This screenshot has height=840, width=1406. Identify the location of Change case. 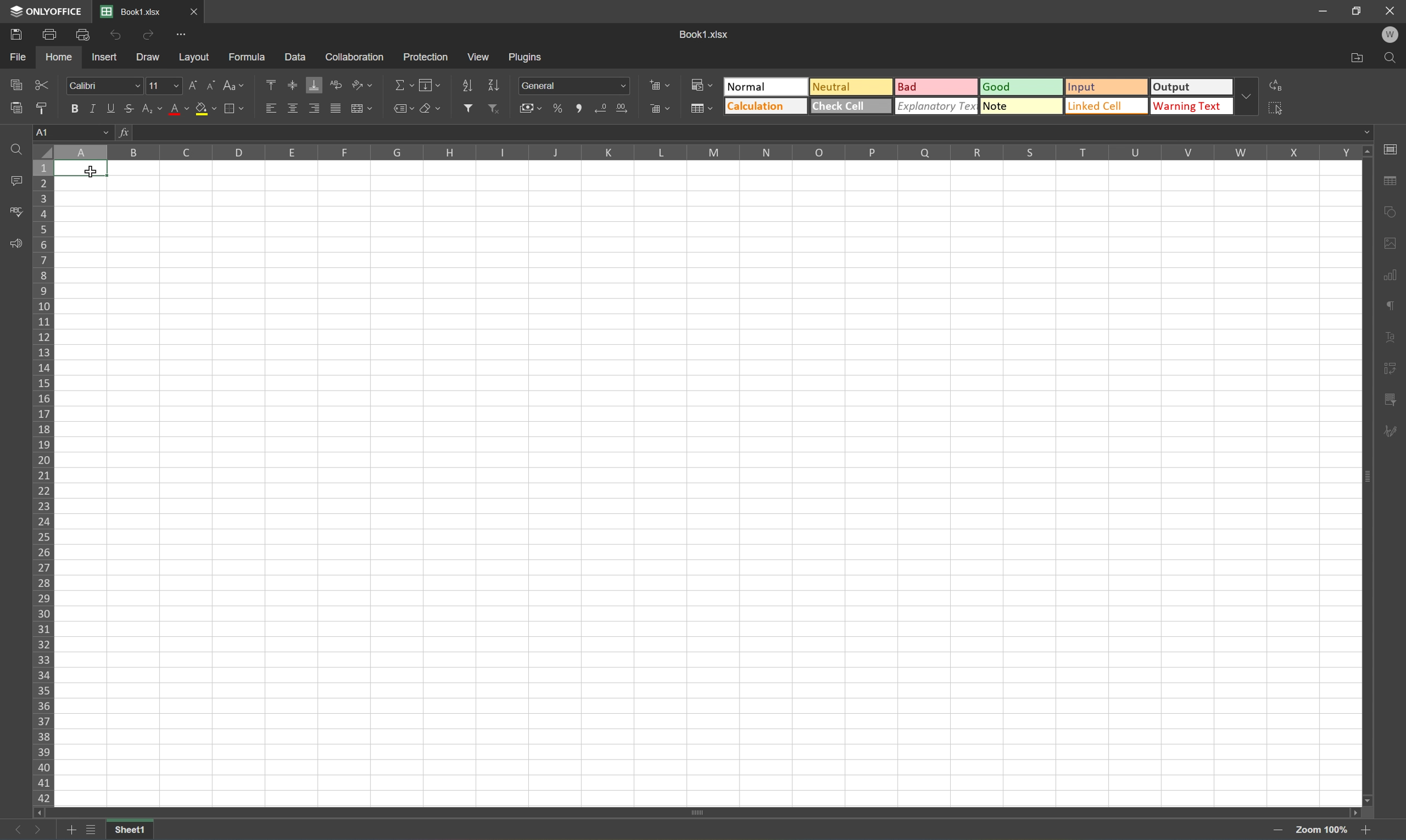
(232, 85).